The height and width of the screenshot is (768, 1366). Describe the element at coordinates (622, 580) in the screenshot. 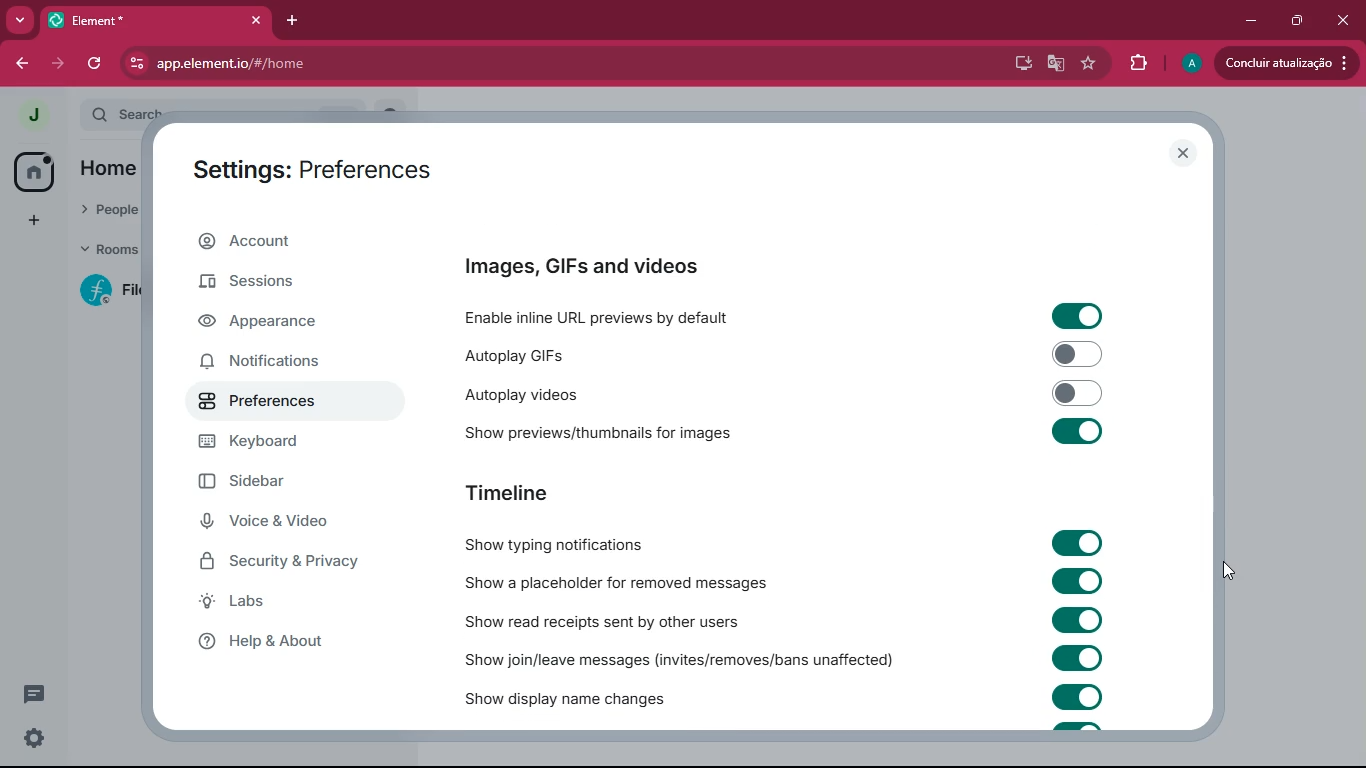

I see `show a placeholder for removed messages` at that location.